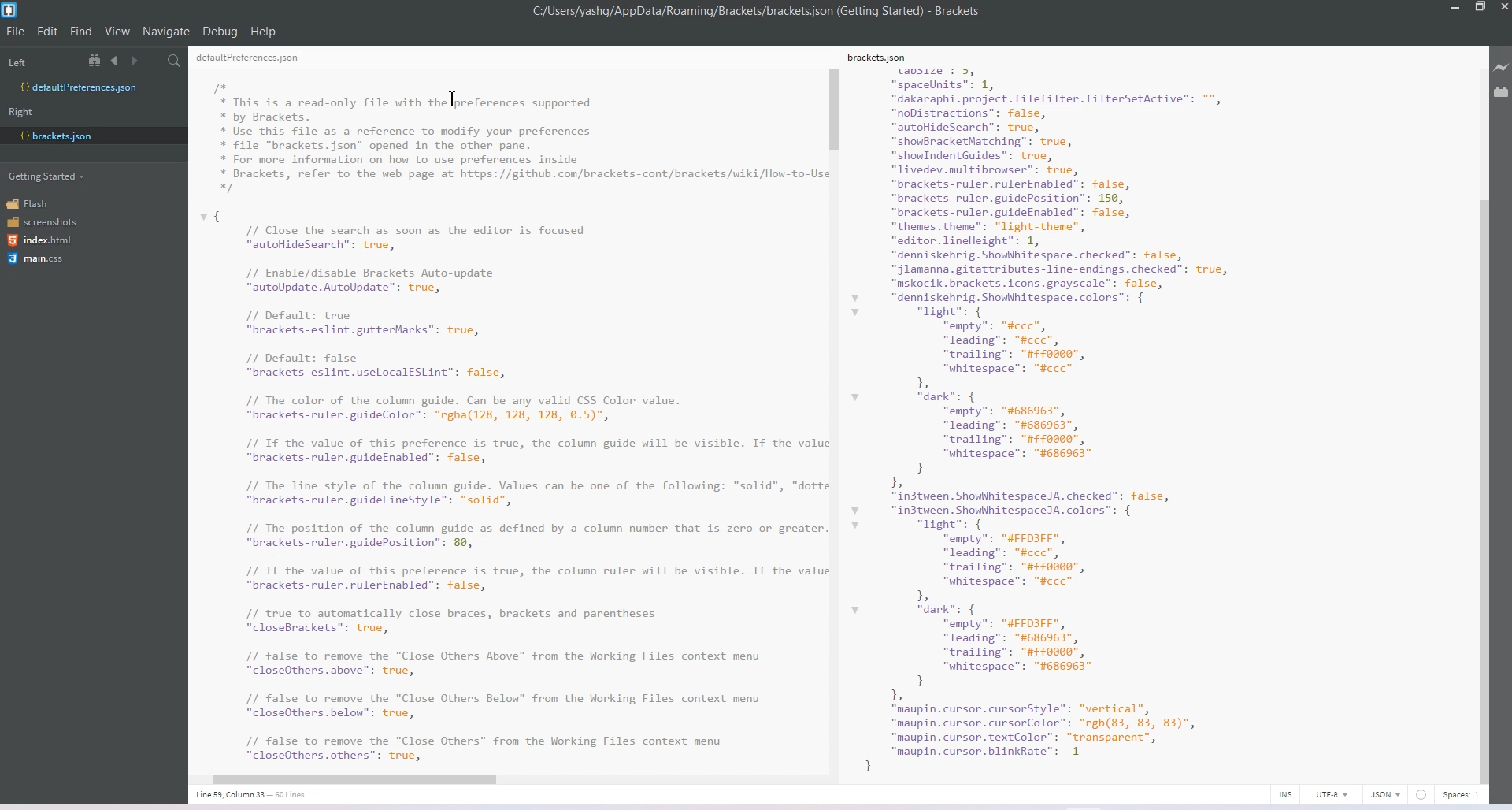 The image size is (1512, 810). I want to click on View, so click(118, 31).